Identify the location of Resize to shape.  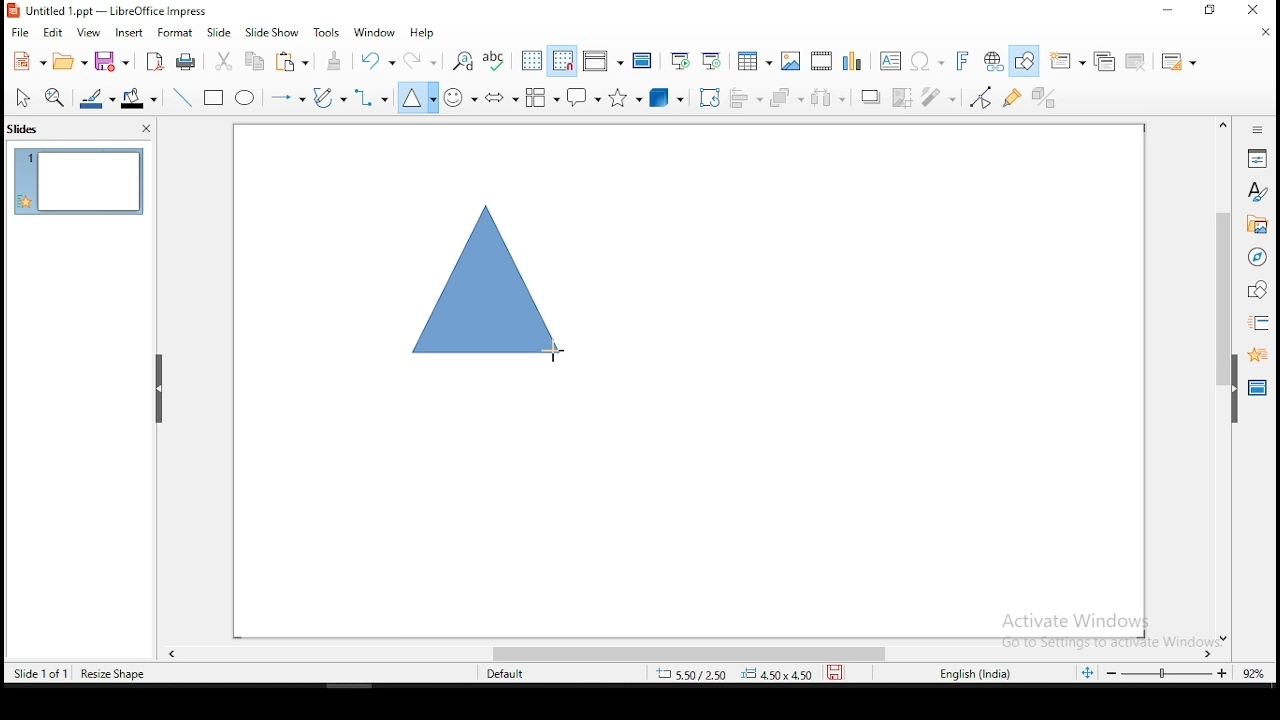
(113, 673).